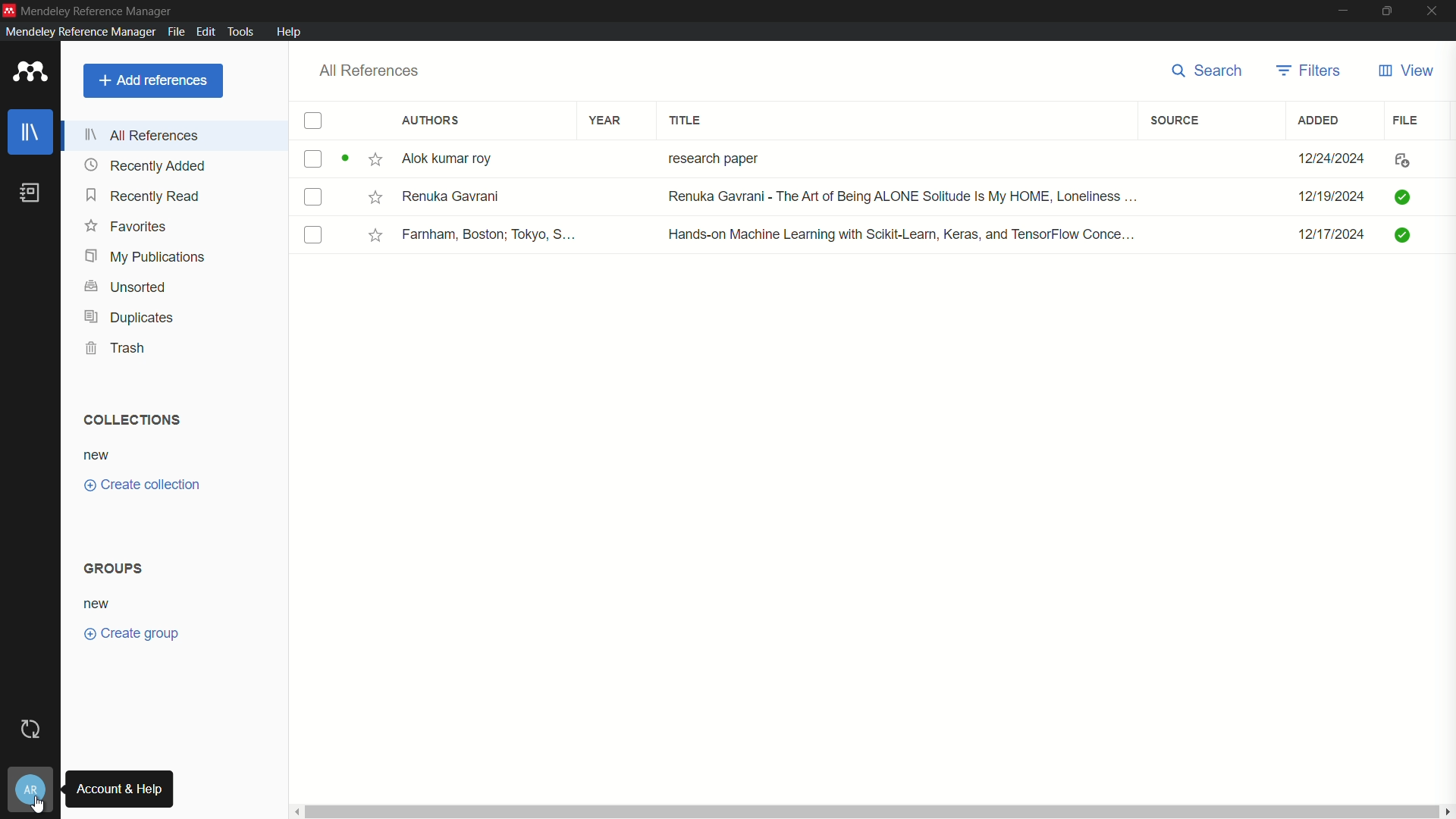 The width and height of the screenshot is (1456, 819). What do you see at coordinates (915, 158) in the screenshot?
I see `book-1` at bounding box center [915, 158].